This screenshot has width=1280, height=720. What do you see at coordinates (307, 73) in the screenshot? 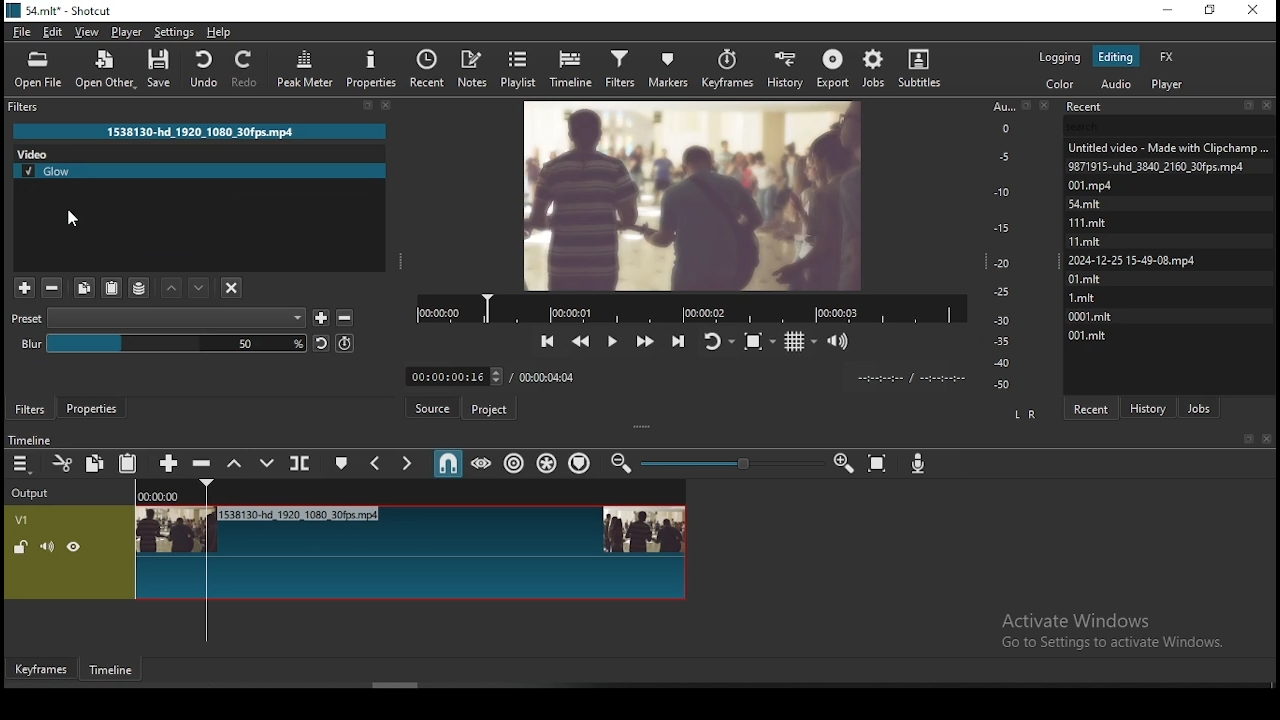
I see `peak meter` at bounding box center [307, 73].